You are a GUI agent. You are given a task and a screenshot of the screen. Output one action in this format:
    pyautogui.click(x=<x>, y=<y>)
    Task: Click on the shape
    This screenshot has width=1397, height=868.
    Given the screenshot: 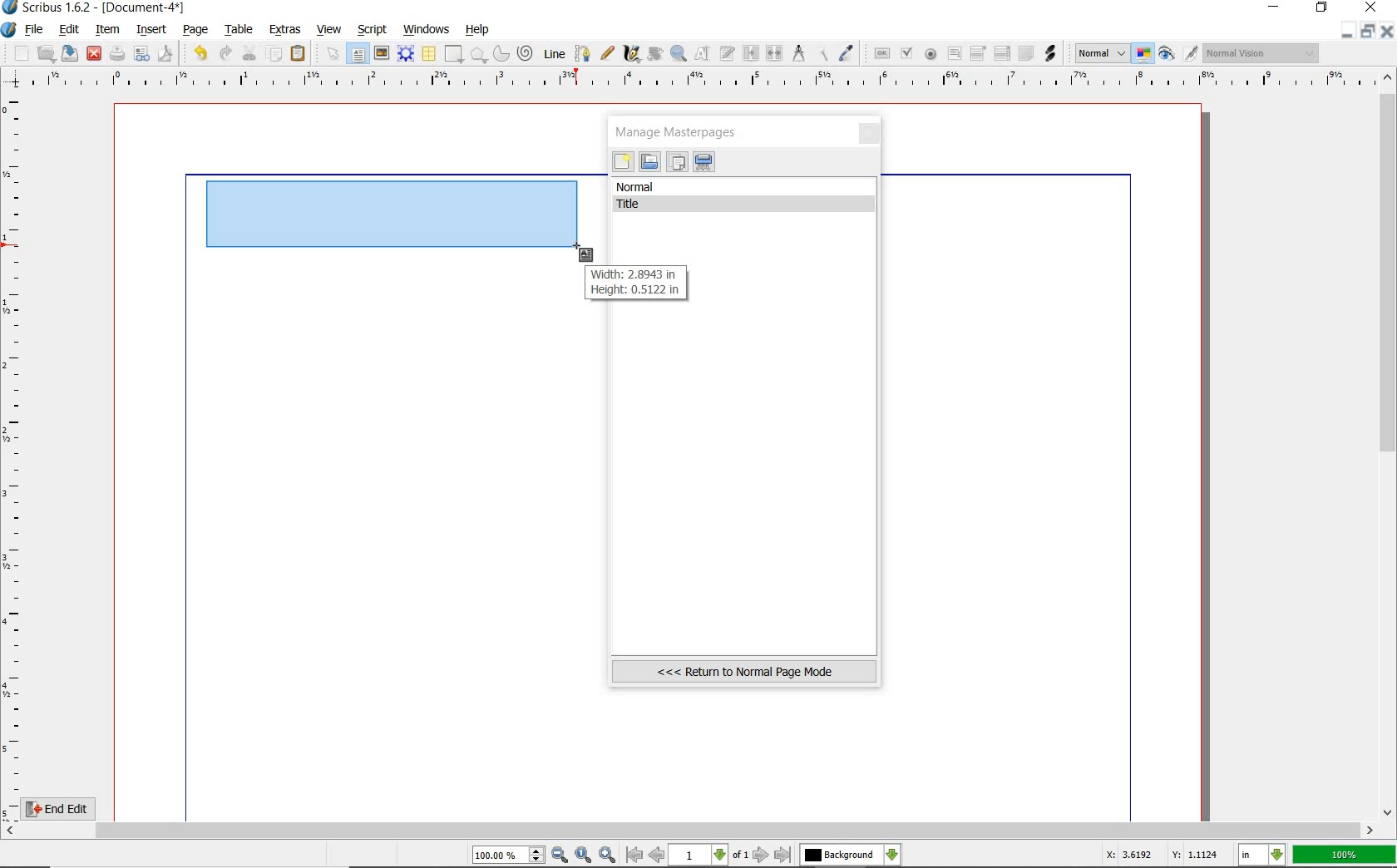 What is the action you would take?
    pyautogui.click(x=454, y=55)
    